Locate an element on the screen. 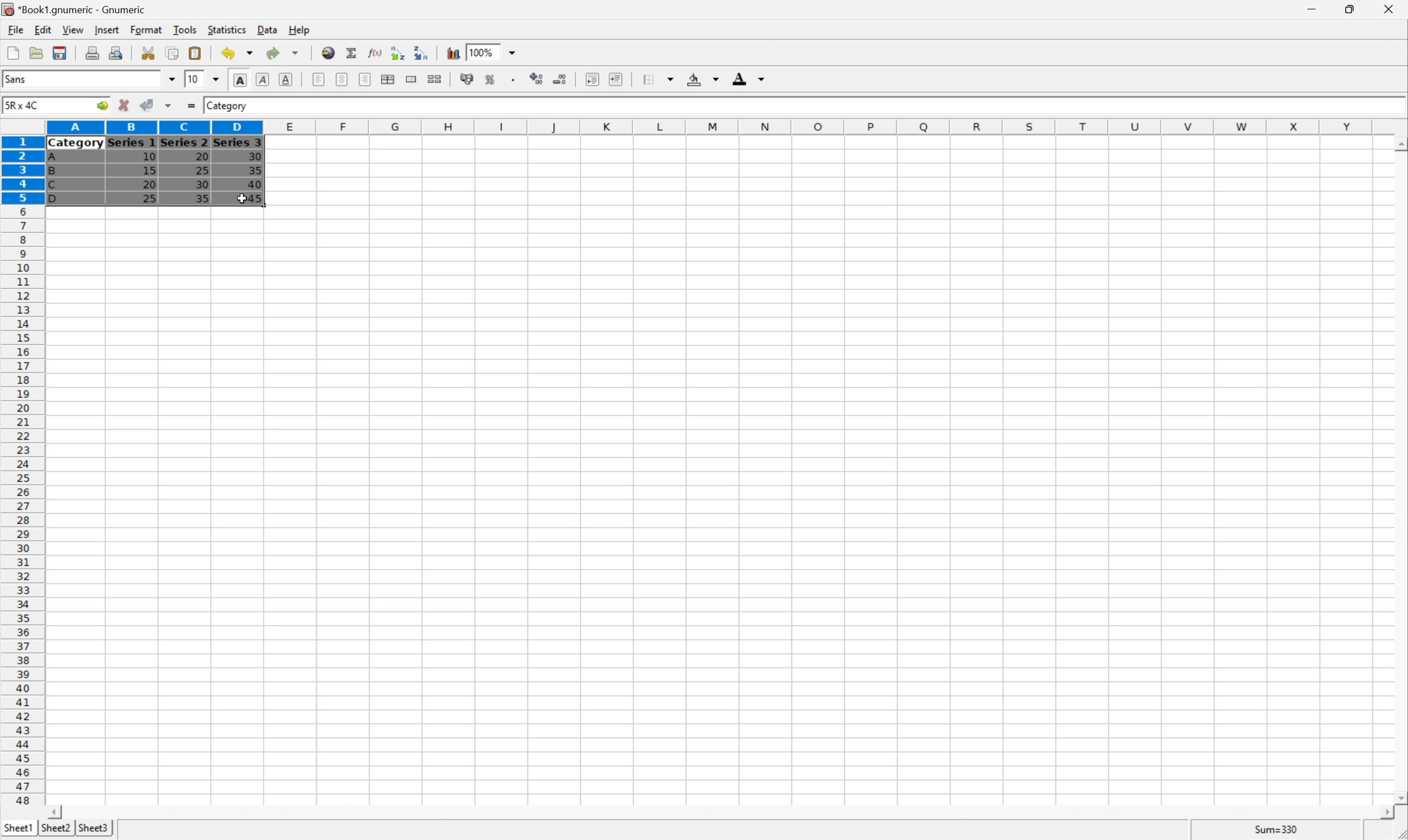 This screenshot has width=1408, height=840. Data is located at coordinates (268, 28).